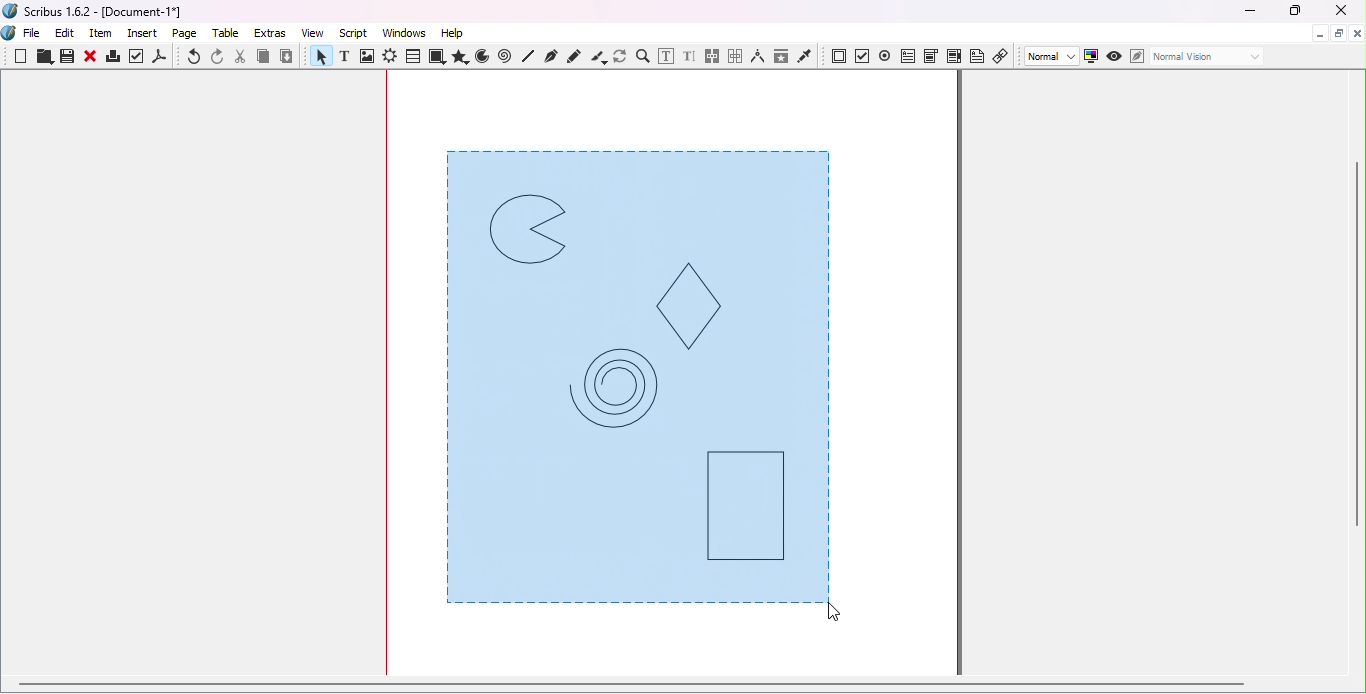  What do you see at coordinates (550, 56) in the screenshot?
I see `Bezier curve tool` at bounding box center [550, 56].